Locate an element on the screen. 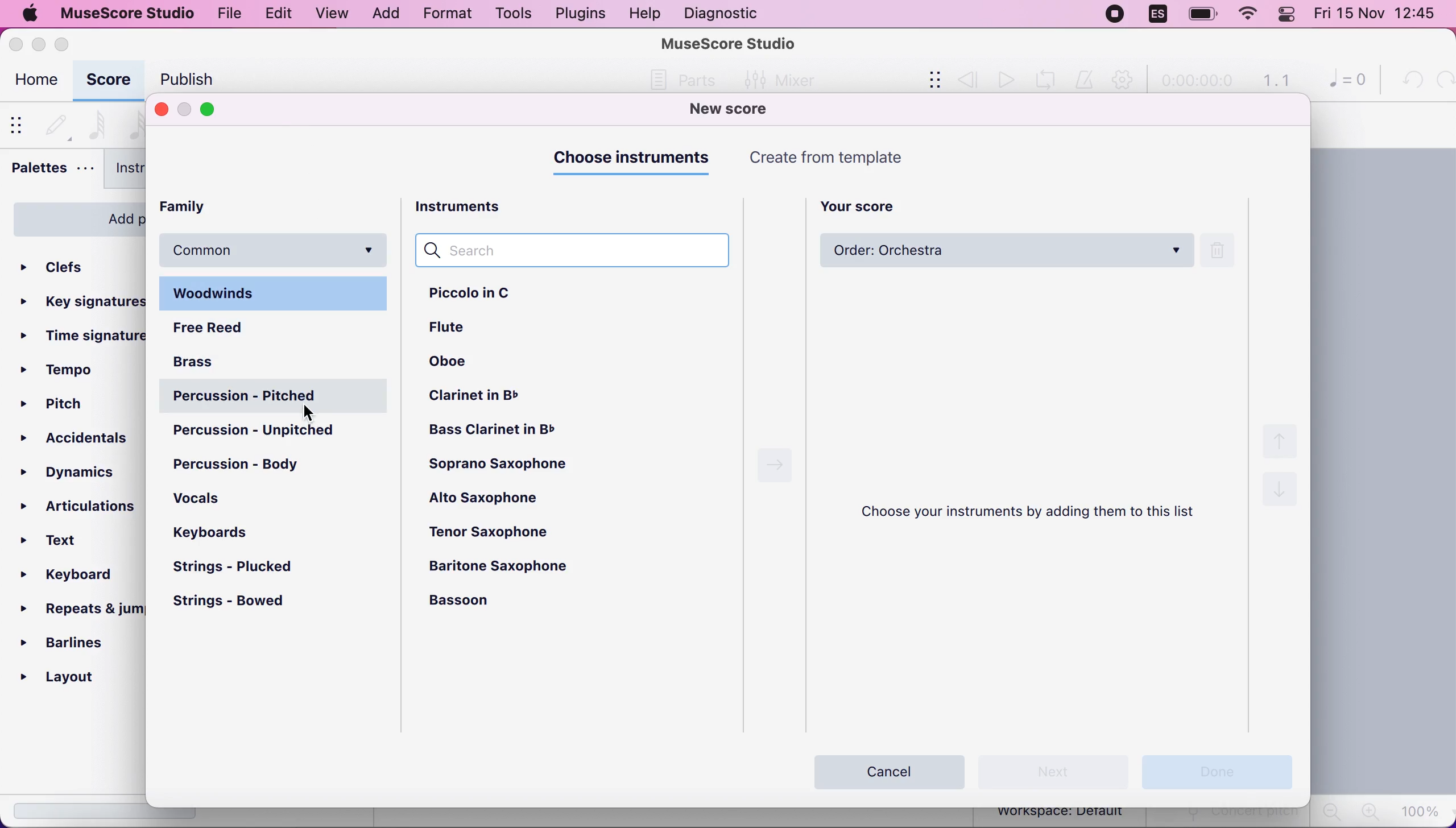 The height and width of the screenshot is (828, 1456). file is located at coordinates (230, 15).